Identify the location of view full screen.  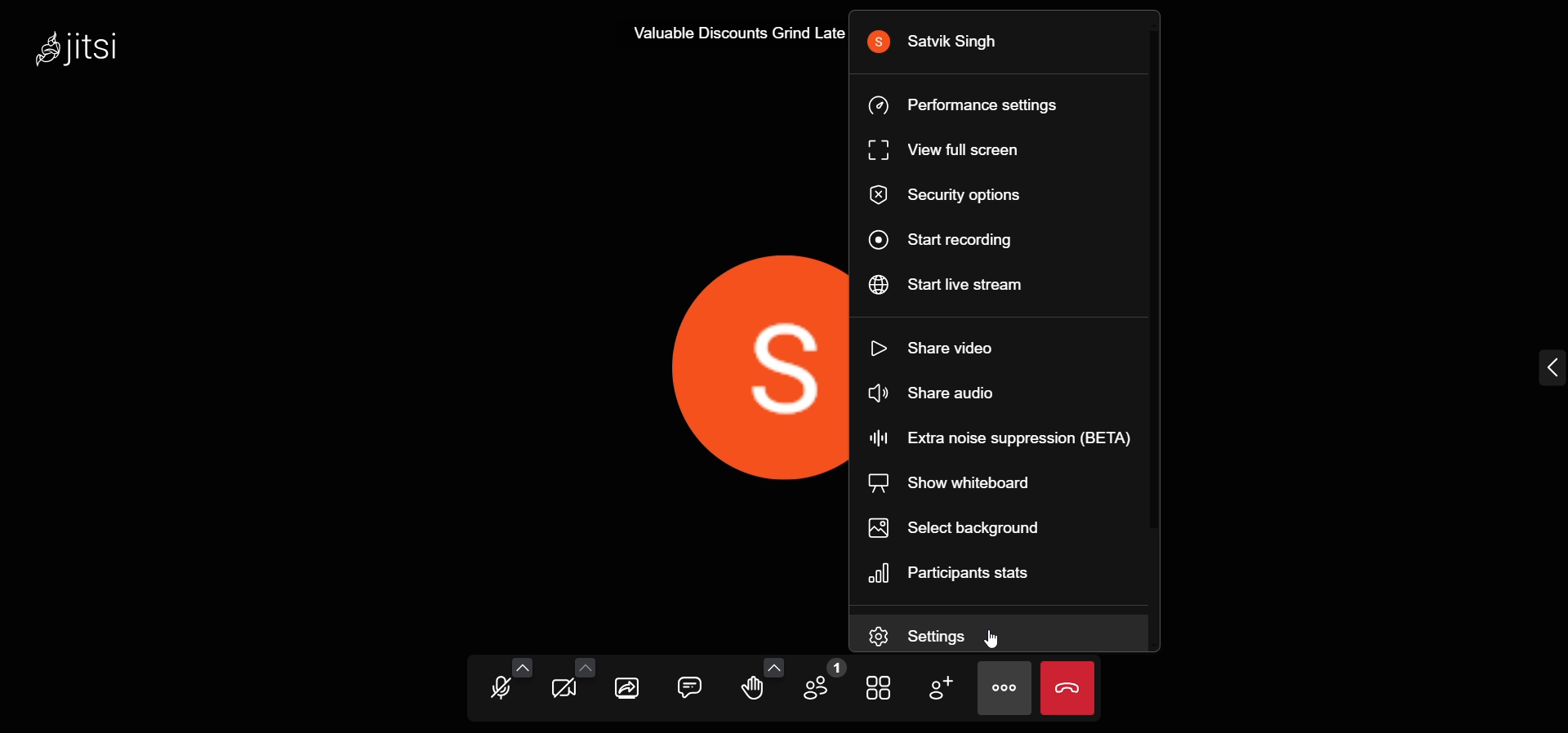
(942, 151).